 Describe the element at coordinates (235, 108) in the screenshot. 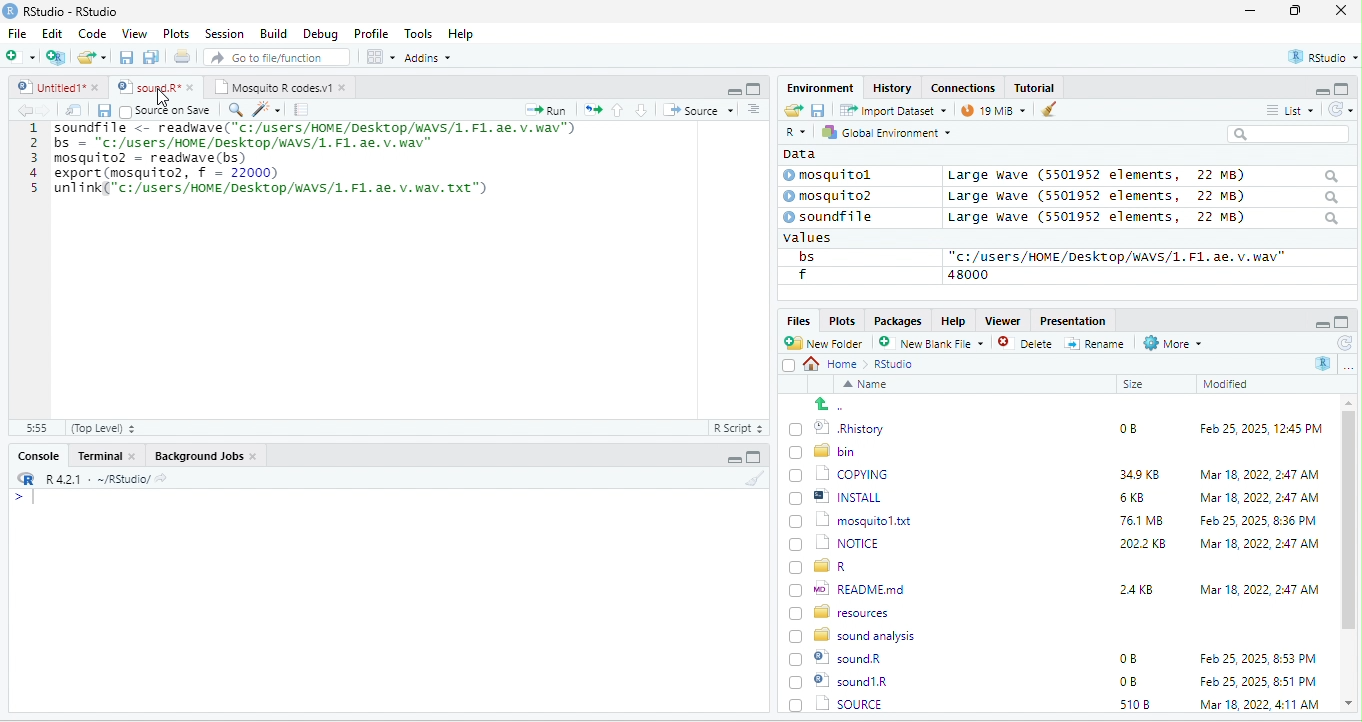

I see `search` at that location.